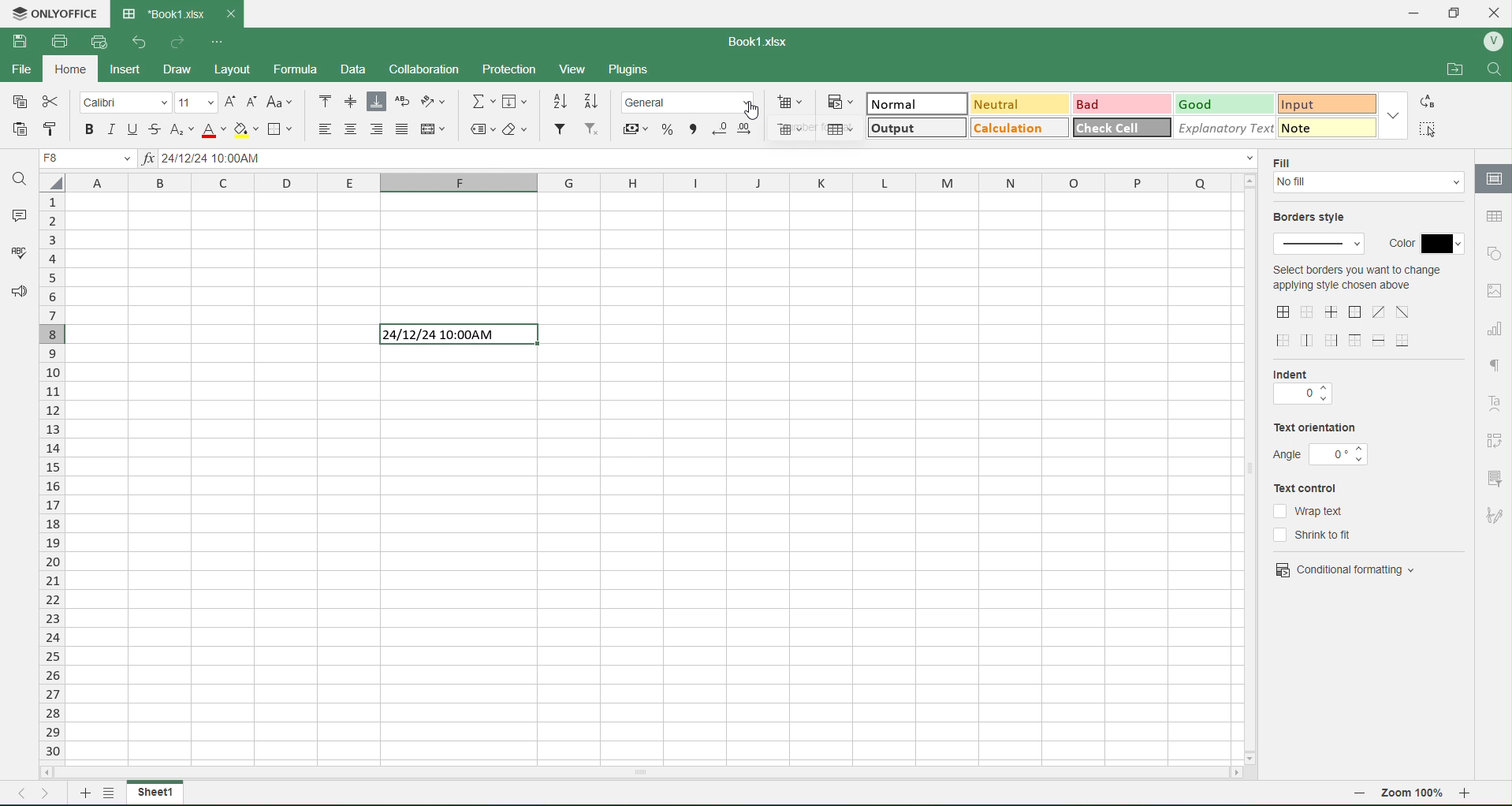 The width and height of the screenshot is (1512, 806). Describe the element at coordinates (1111, 129) in the screenshot. I see `Check Cell` at that location.